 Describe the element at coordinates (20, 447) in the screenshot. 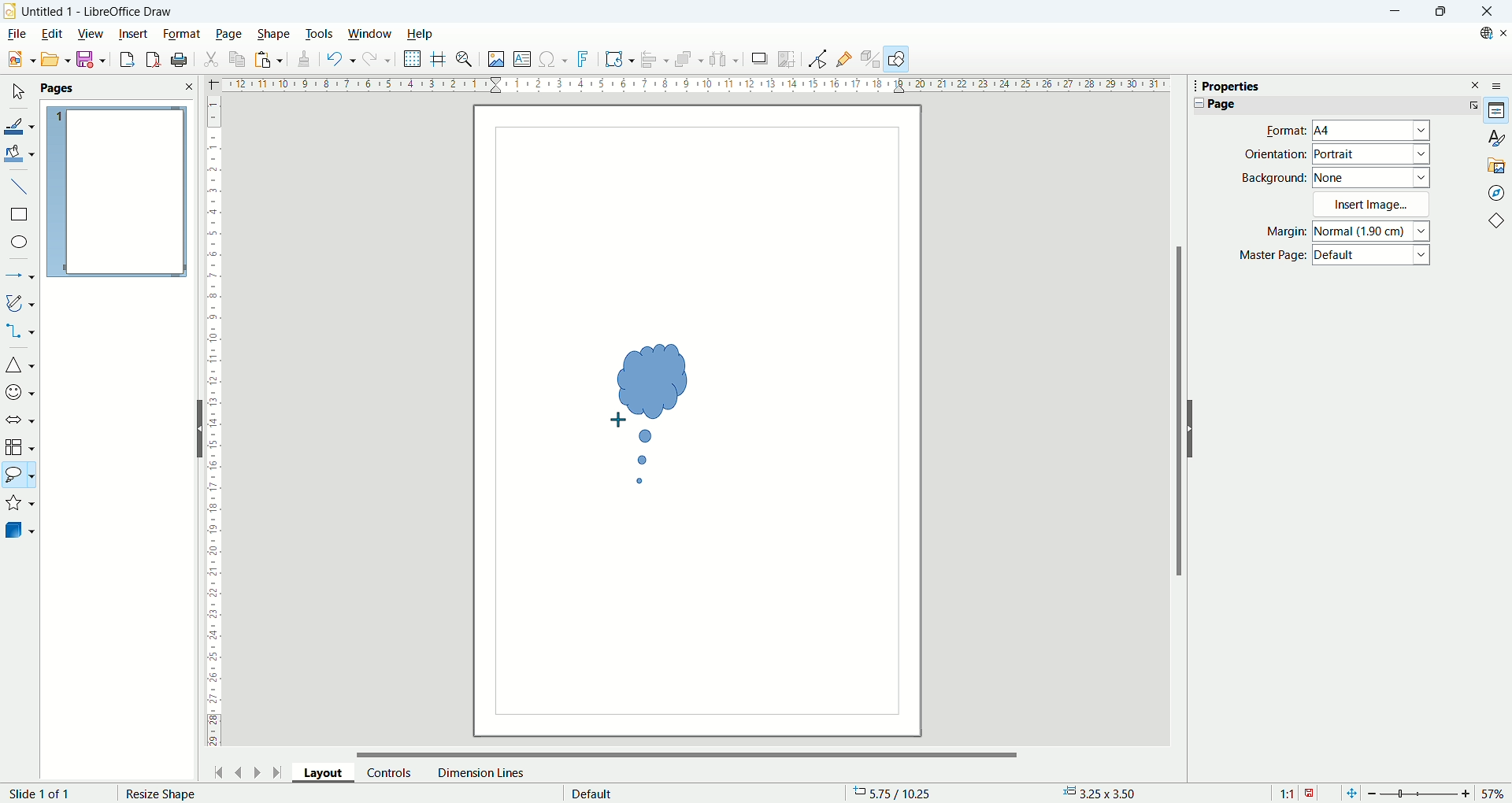

I see `flowchart` at that location.